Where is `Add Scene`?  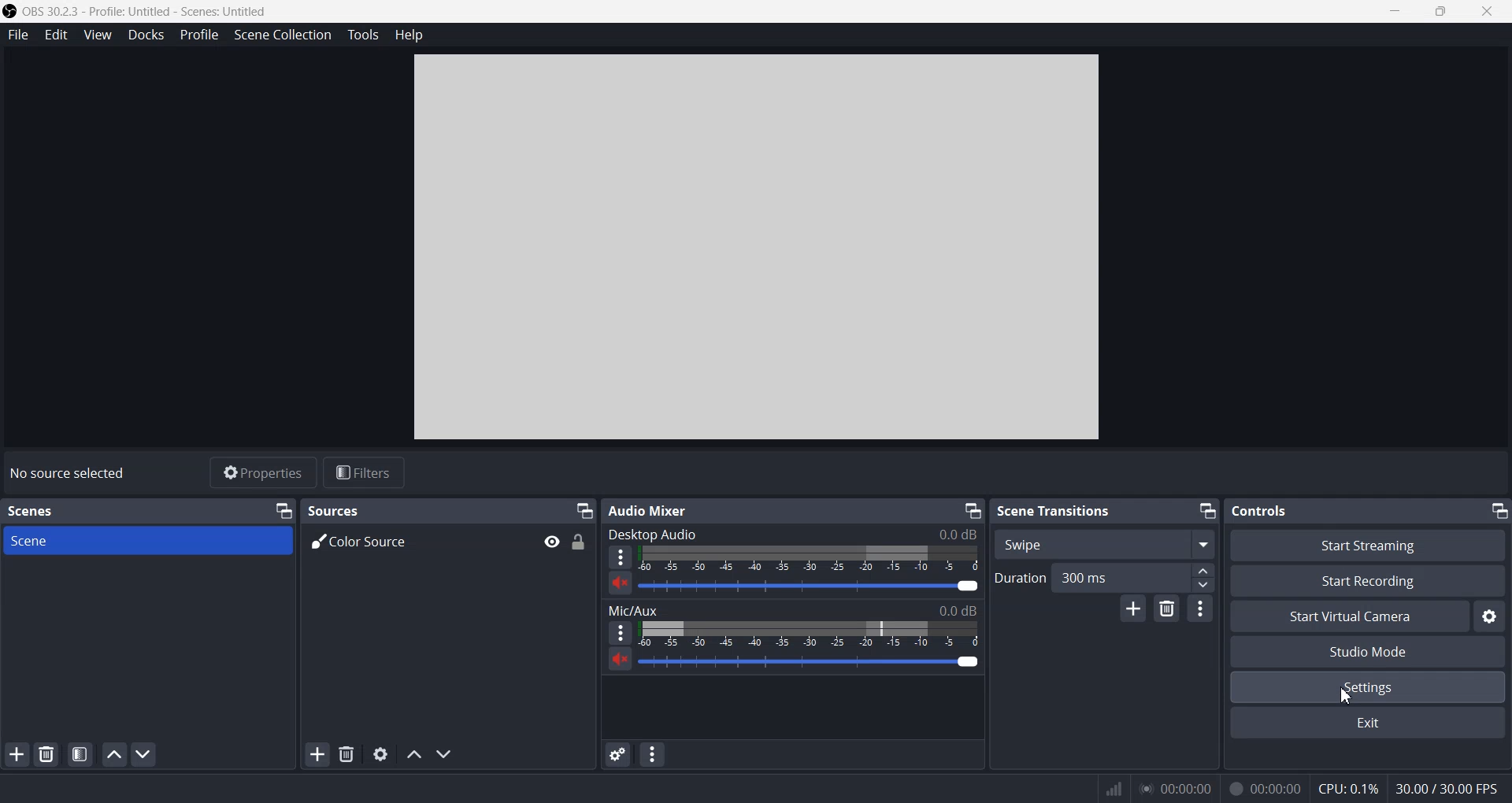
Add Scene is located at coordinates (16, 754).